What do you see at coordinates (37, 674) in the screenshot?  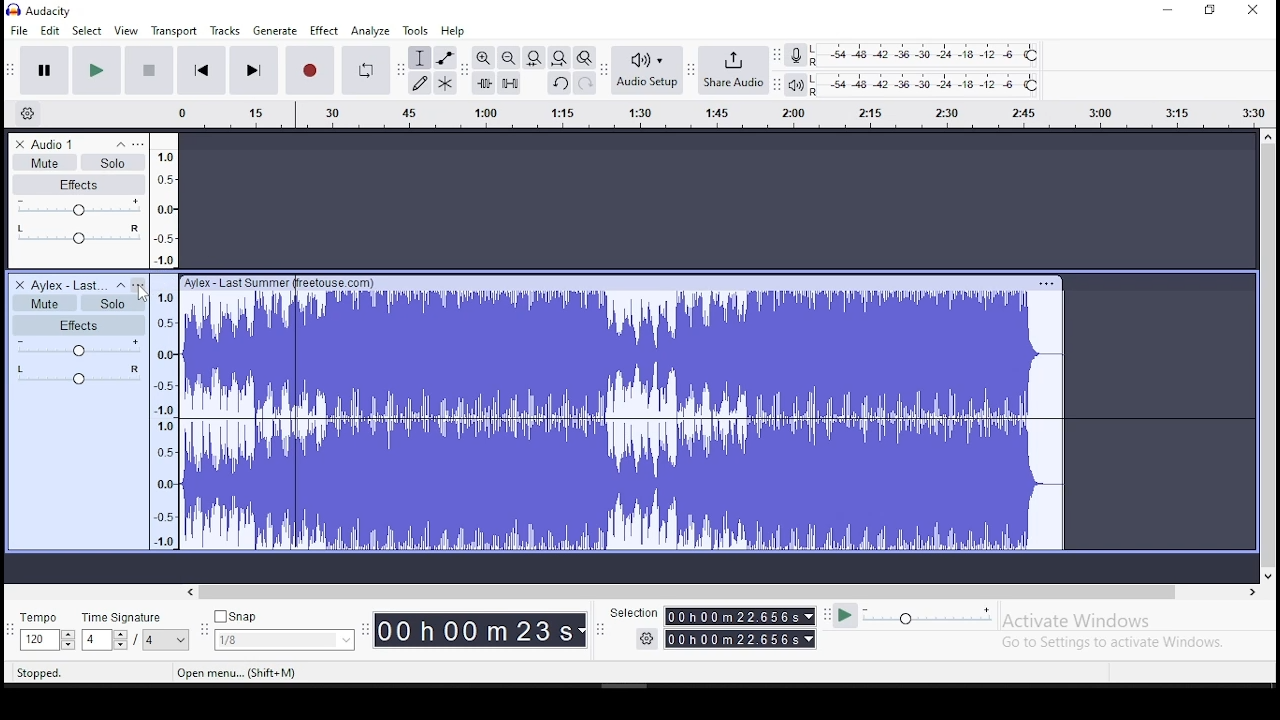 I see `stopped` at bounding box center [37, 674].